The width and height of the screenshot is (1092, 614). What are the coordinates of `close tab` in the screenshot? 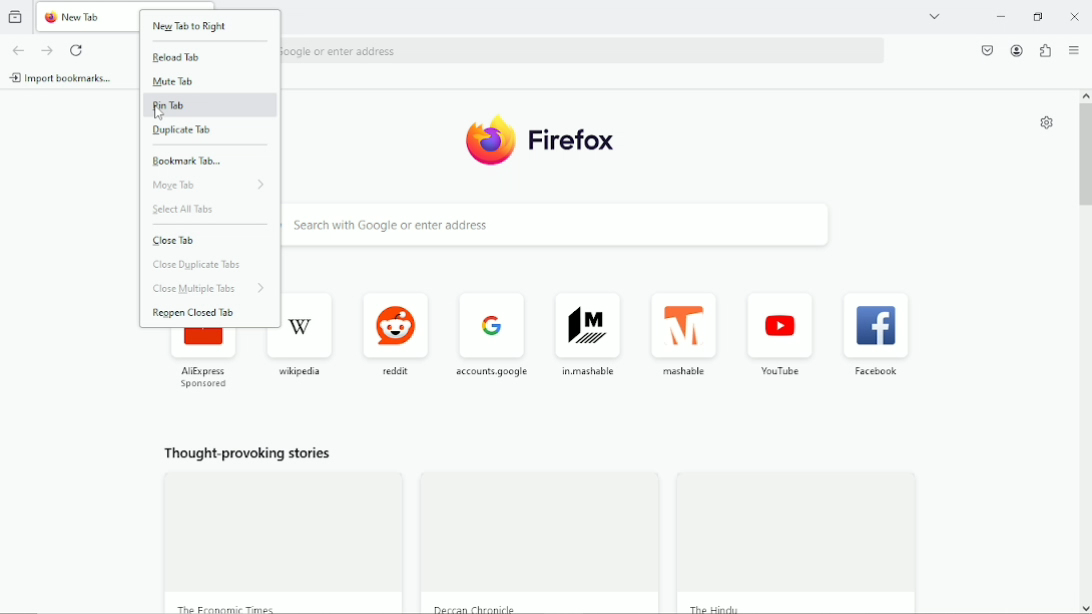 It's located at (179, 241).